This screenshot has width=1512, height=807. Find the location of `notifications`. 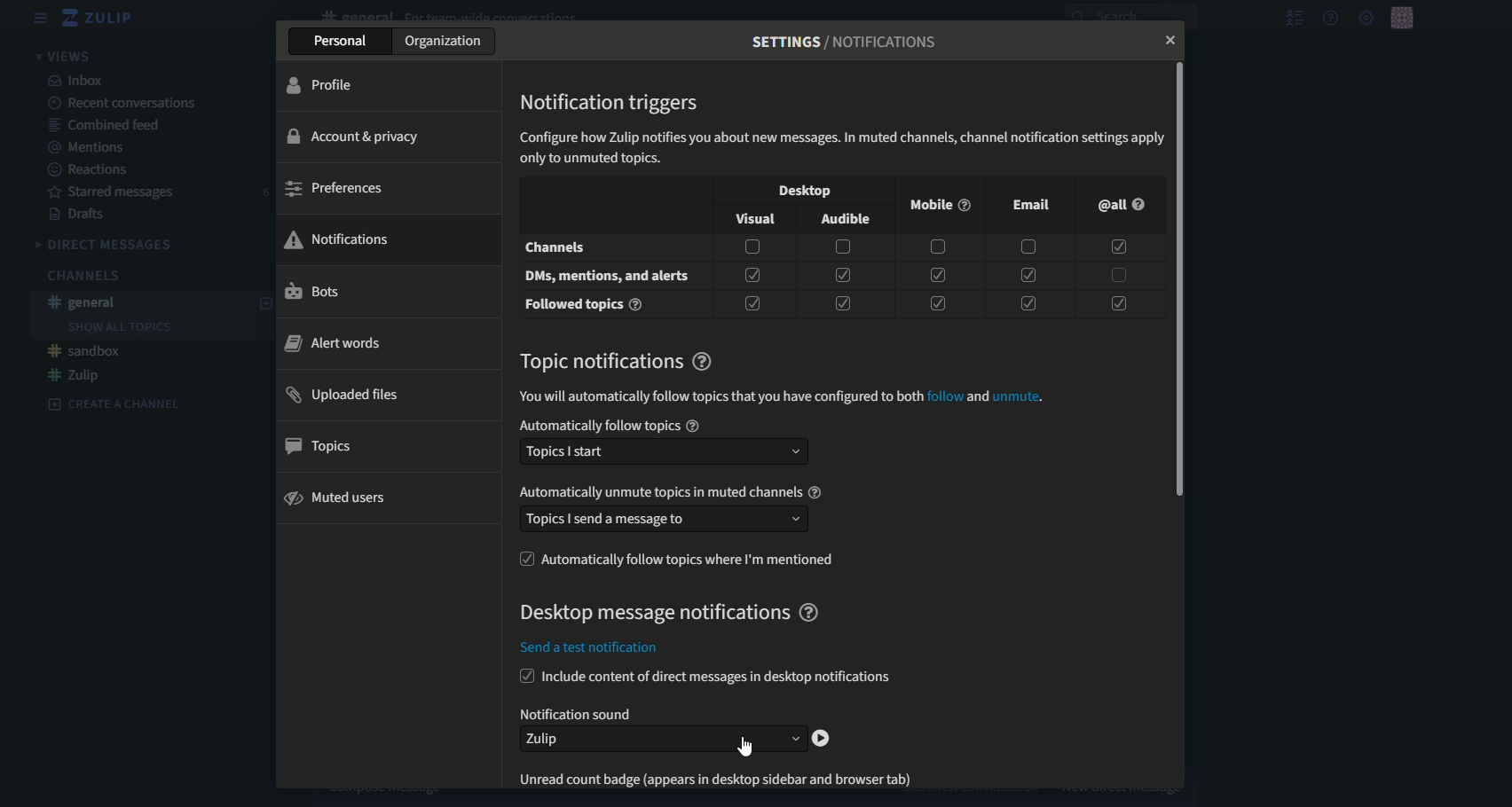

notifications is located at coordinates (338, 238).